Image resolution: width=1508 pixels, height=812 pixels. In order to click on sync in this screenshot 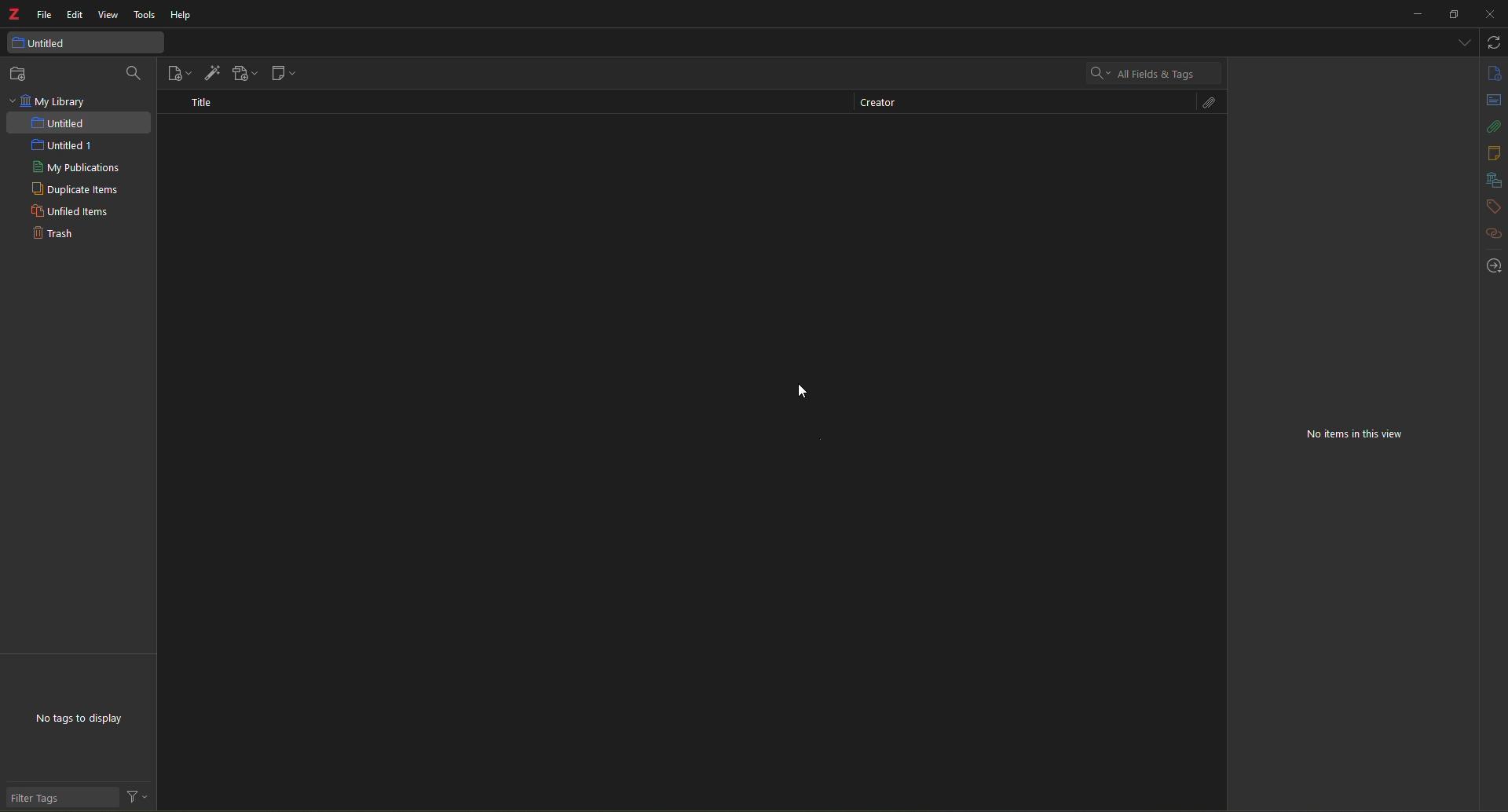, I will do `click(1496, 41)`.